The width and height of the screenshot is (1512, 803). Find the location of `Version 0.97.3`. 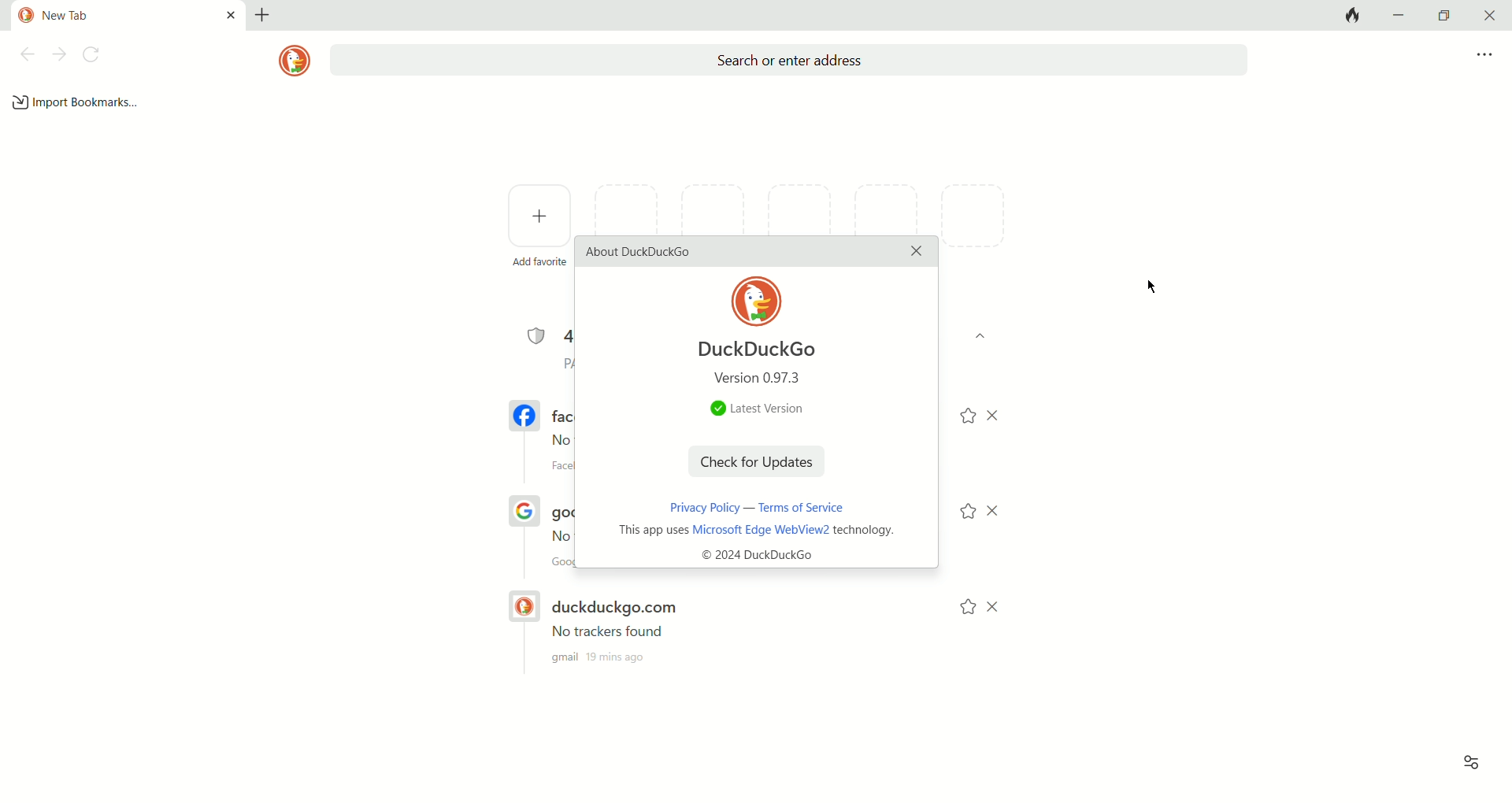

Version 0.97.3 is located at coordinates (765, 379).